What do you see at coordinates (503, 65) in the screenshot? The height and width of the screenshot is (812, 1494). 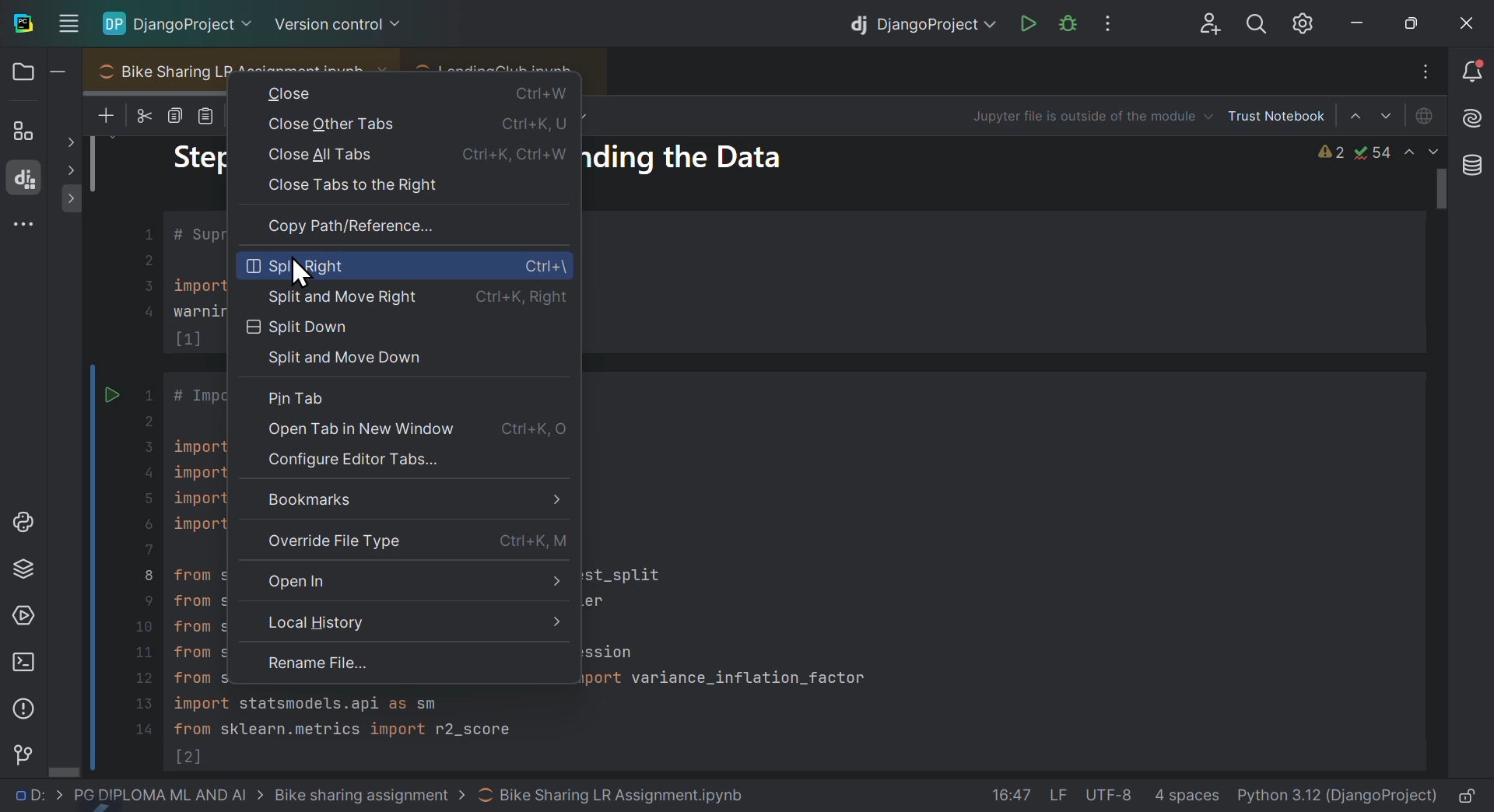 I see `LendingClub.ipynb` at bounding box center [503, 65].